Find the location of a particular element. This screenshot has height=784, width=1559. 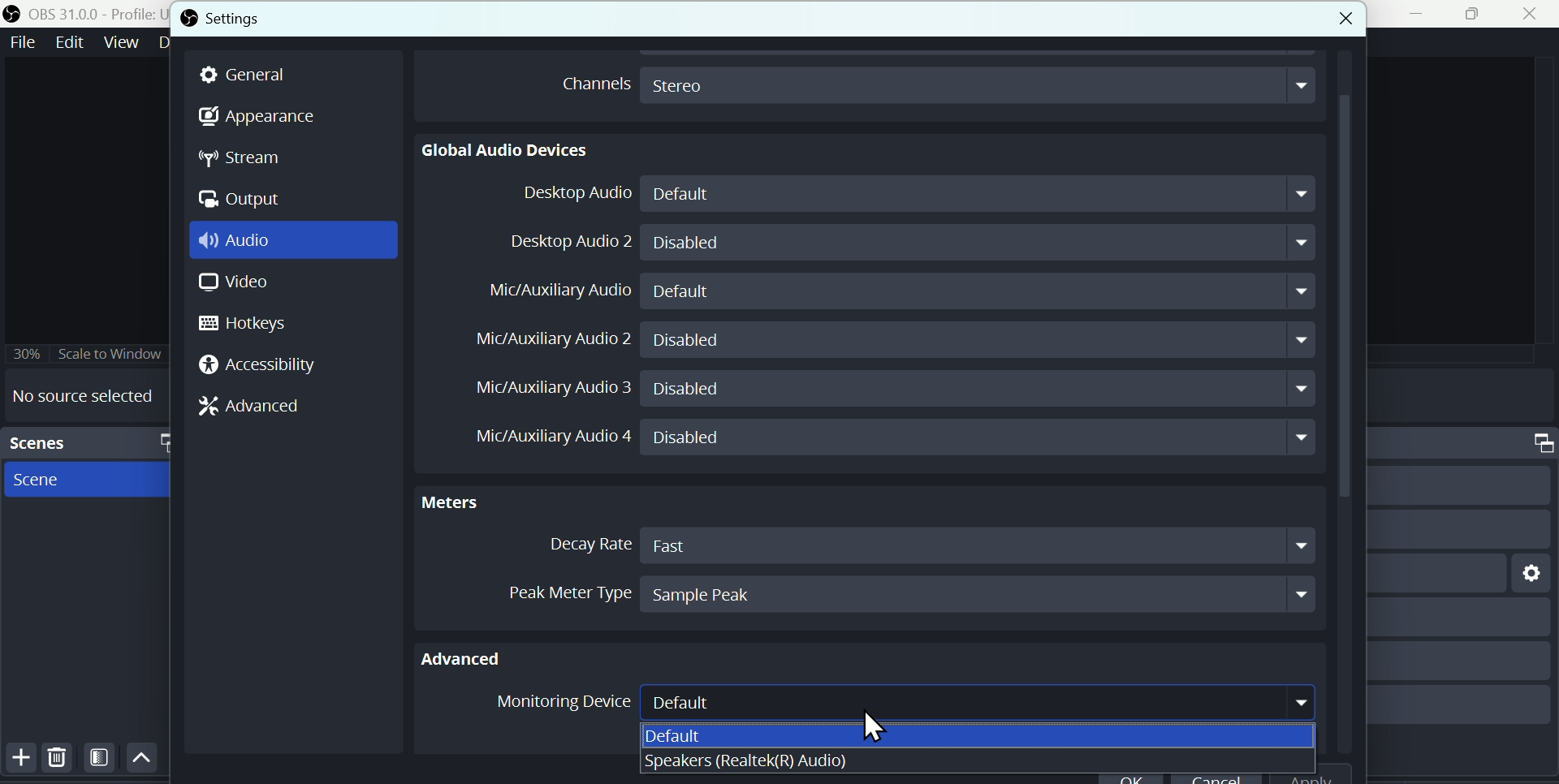

Advanced is located at coordinates (473, 656).